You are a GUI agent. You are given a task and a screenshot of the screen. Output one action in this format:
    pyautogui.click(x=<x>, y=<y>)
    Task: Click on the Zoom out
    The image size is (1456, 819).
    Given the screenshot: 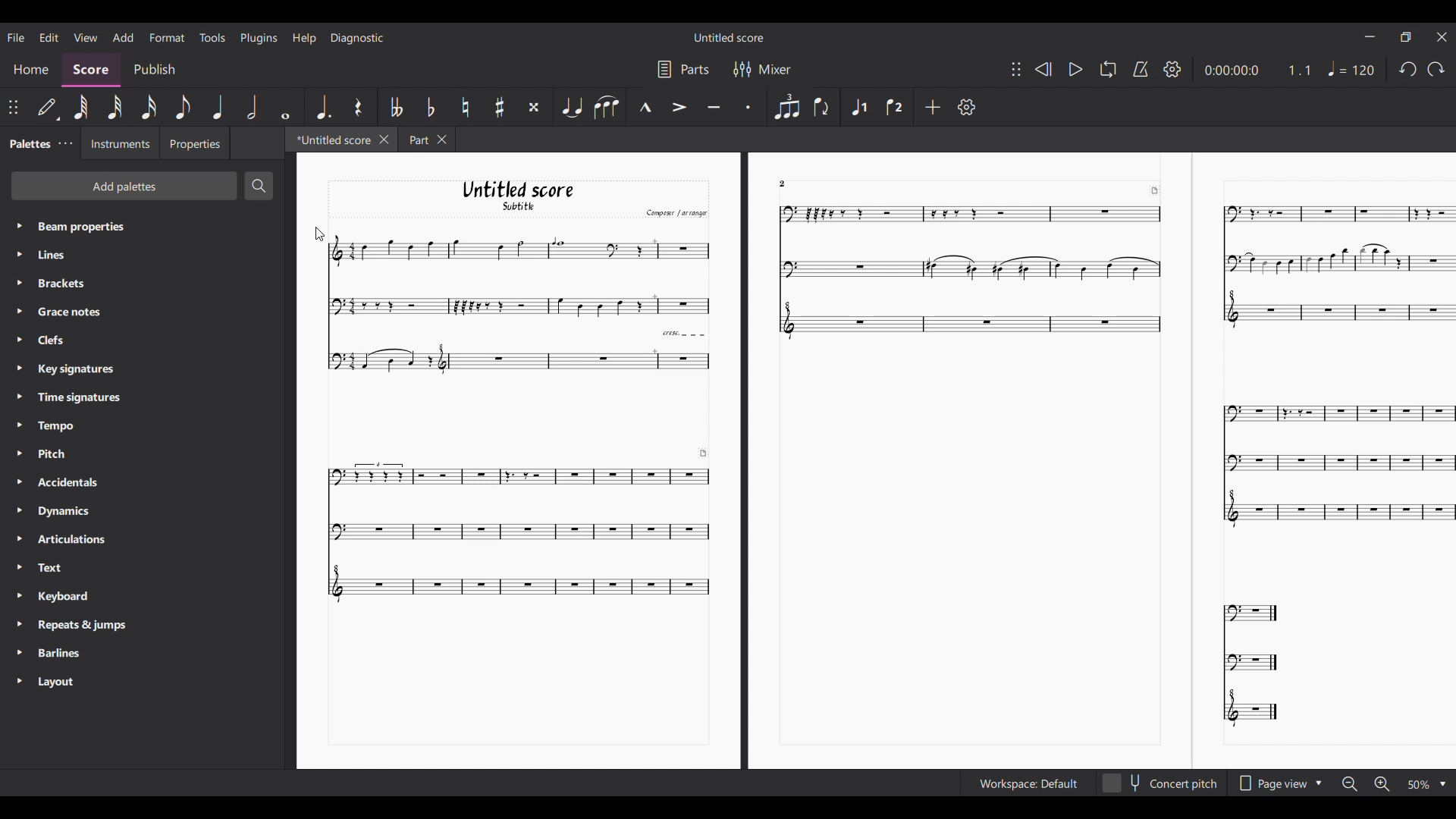 What is the action you would take?
    pyautogui.click(x=1350, y=785)
    